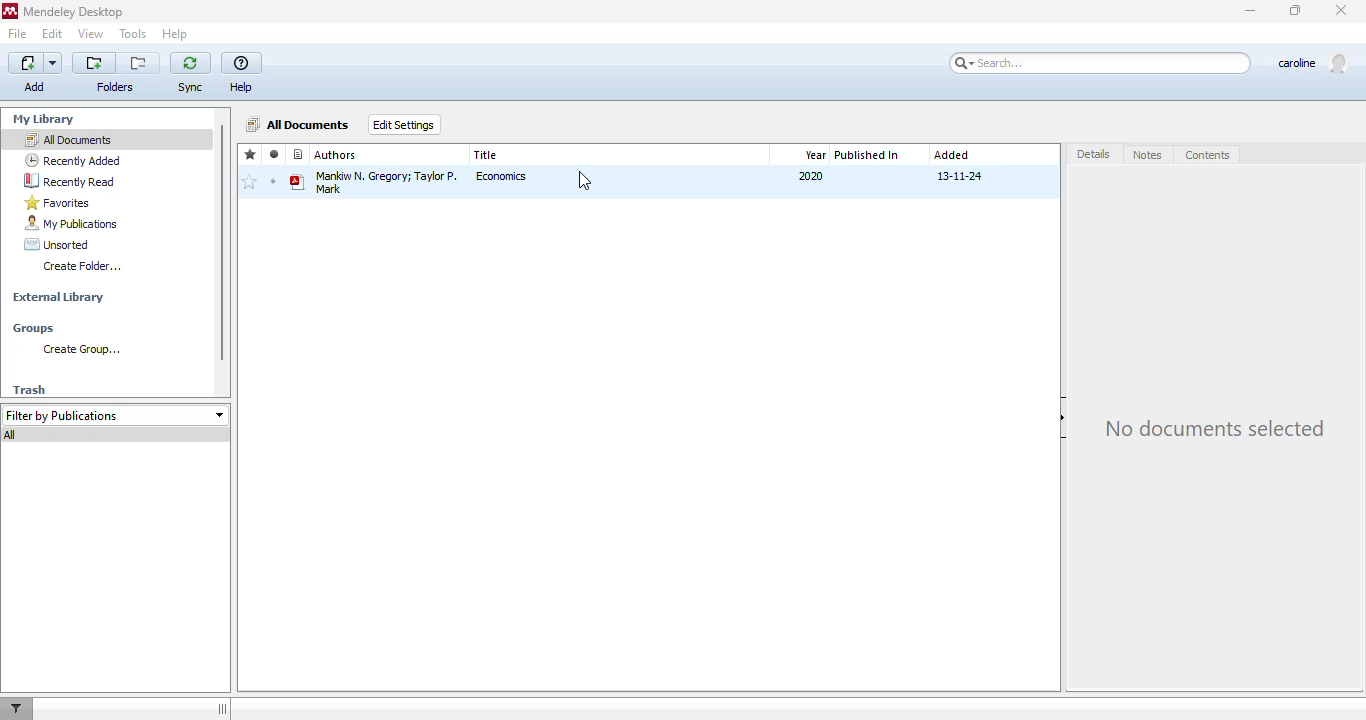 This screenshot has width=1366, height=720. What do you see at coordinates (1251, 11) in the screenshot?
I see `minimize` at bounding box center [1251, 11].